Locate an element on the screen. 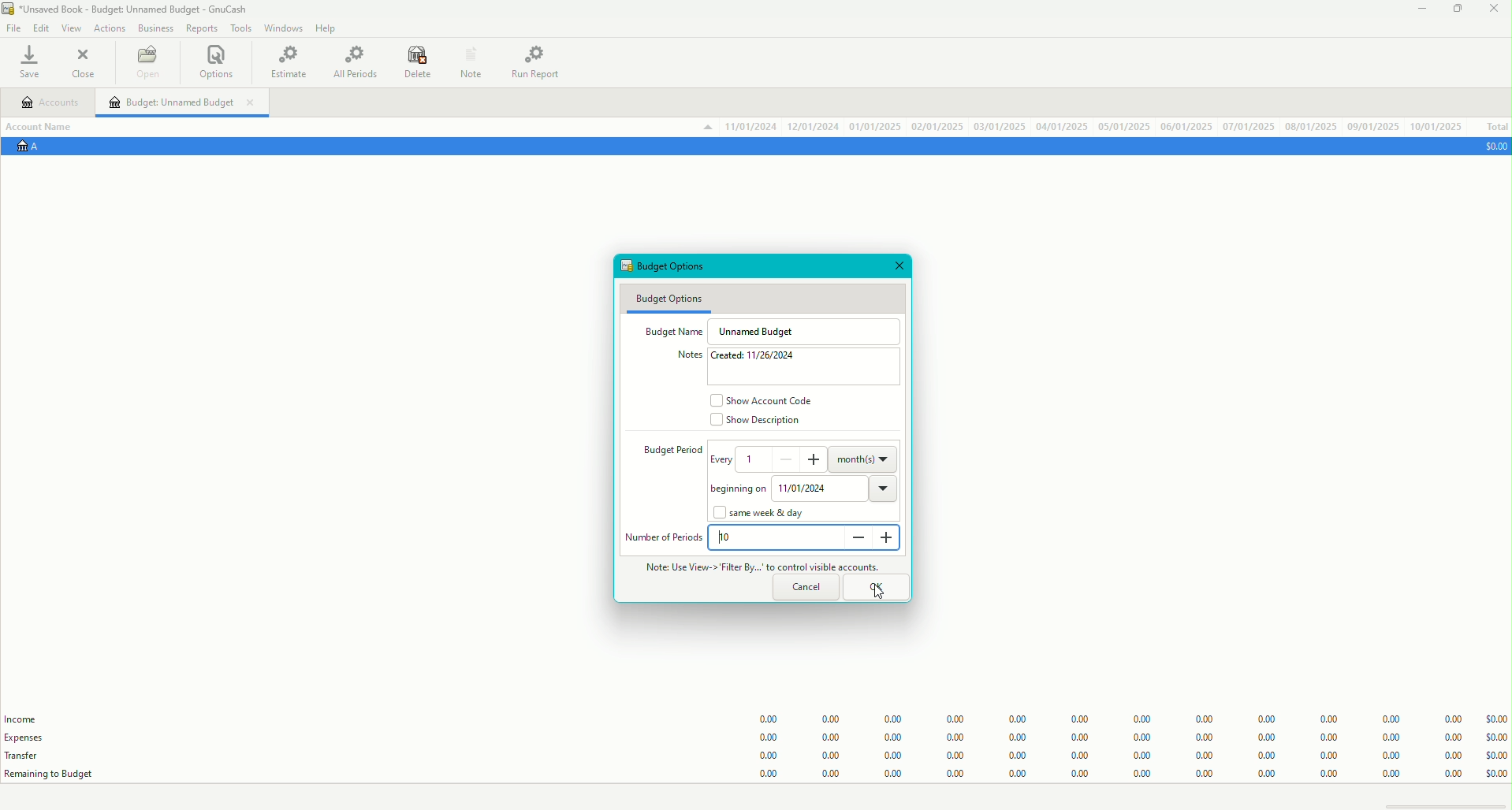 The image size is (1512, 810). Remaining to Budget is located at coordinates (52, 774).